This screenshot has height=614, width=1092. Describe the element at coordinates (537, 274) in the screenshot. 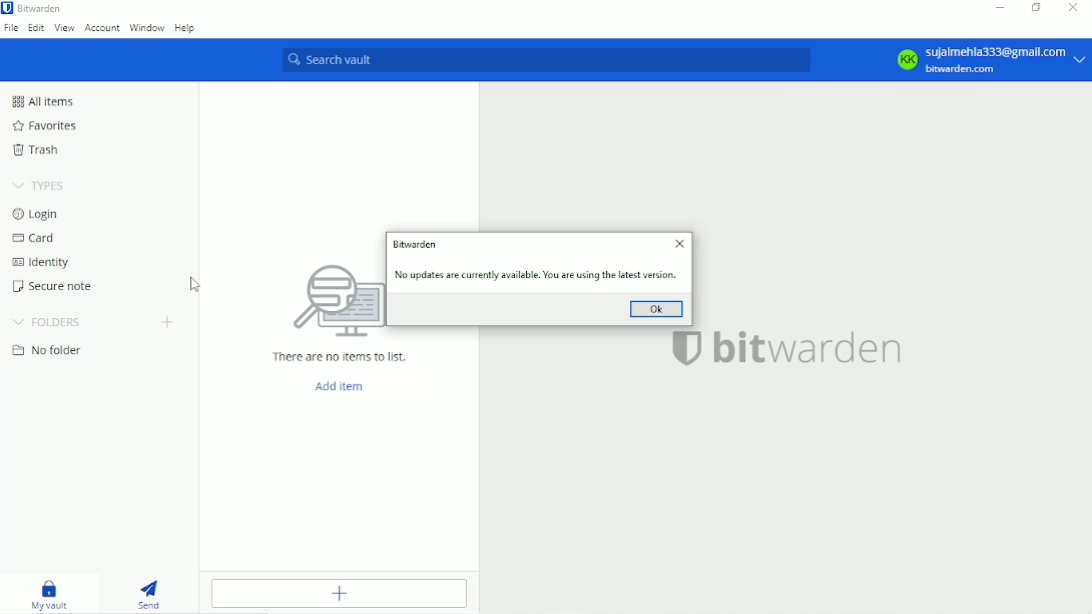

I see `No updates are currently available. You are using the latest version.` at that location.